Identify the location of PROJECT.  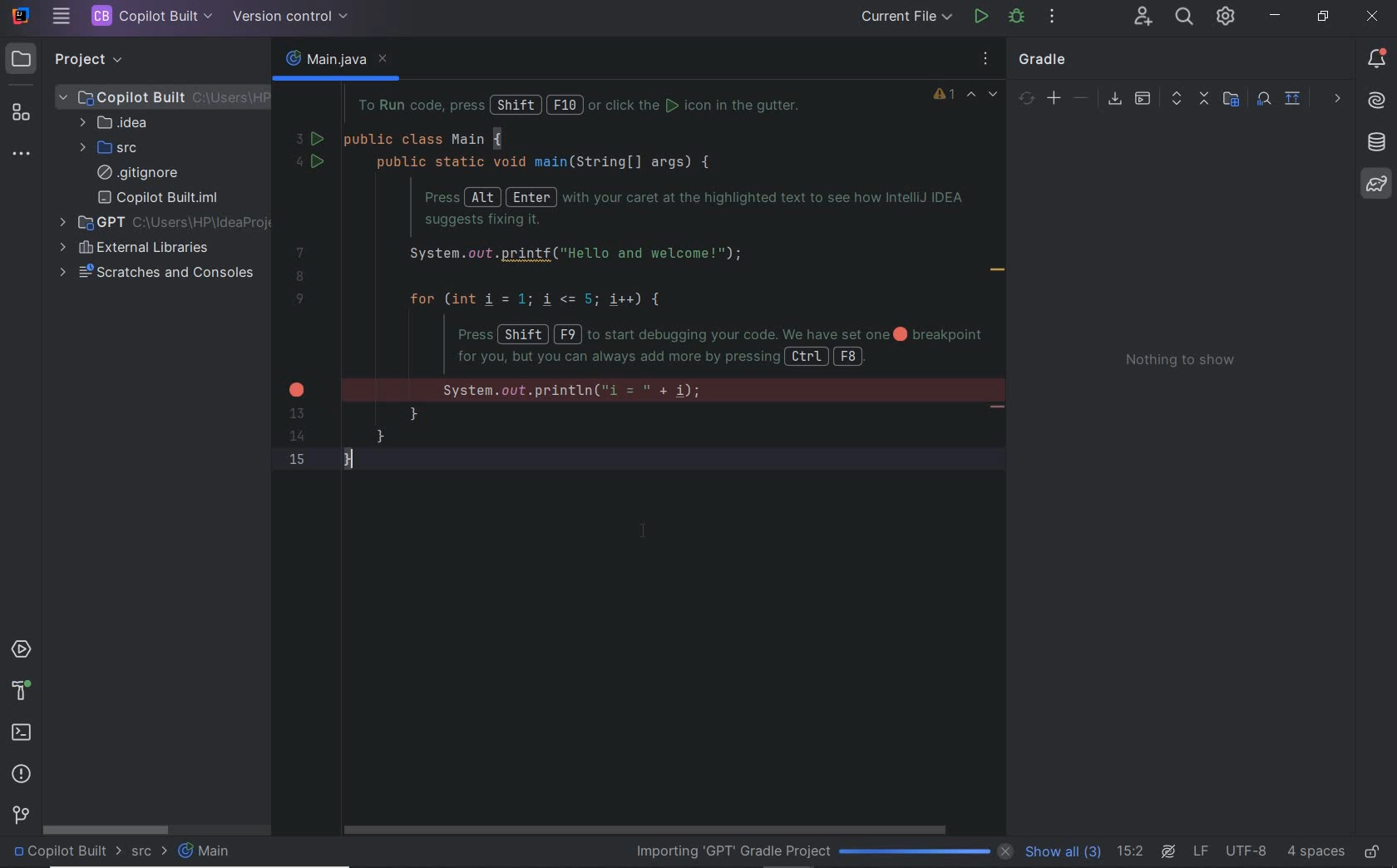
(74, 58).